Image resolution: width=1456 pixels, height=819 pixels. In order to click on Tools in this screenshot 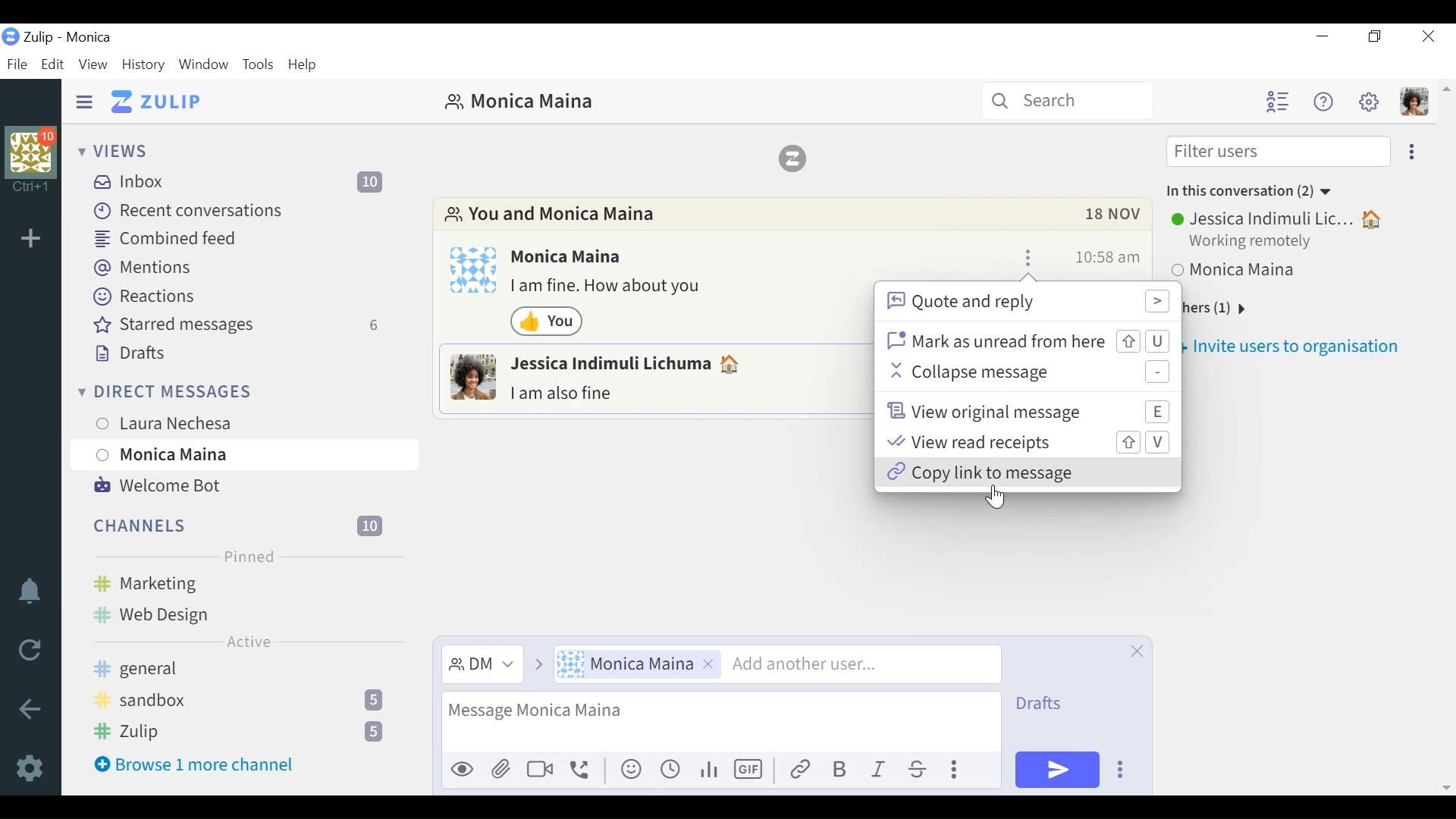, I will do `click(260, 65)`.